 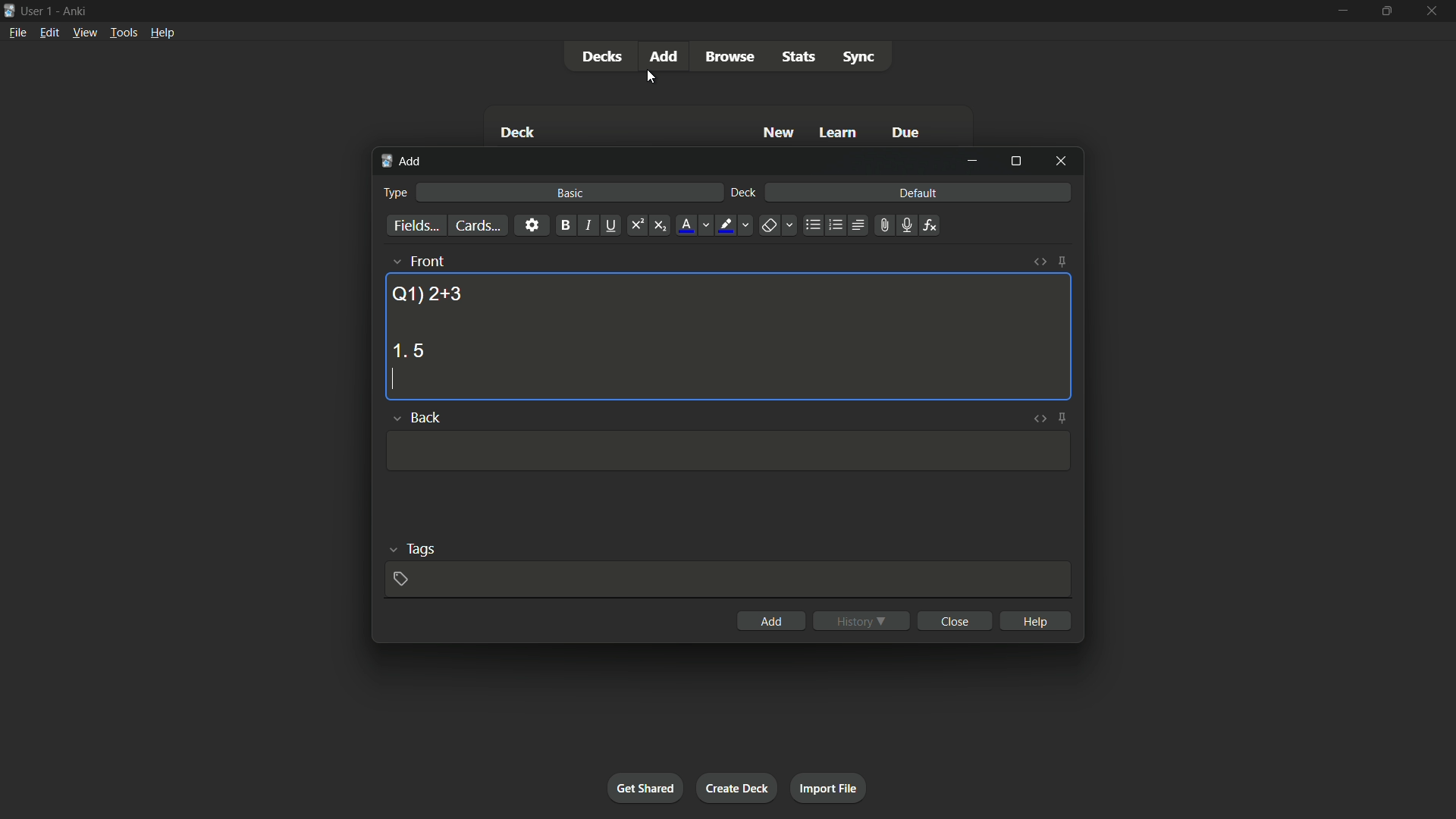 What do you see at coordinates (1063, 418) in the screenshot?
I see `toggle sticky` at bounding box center [1063, 418].